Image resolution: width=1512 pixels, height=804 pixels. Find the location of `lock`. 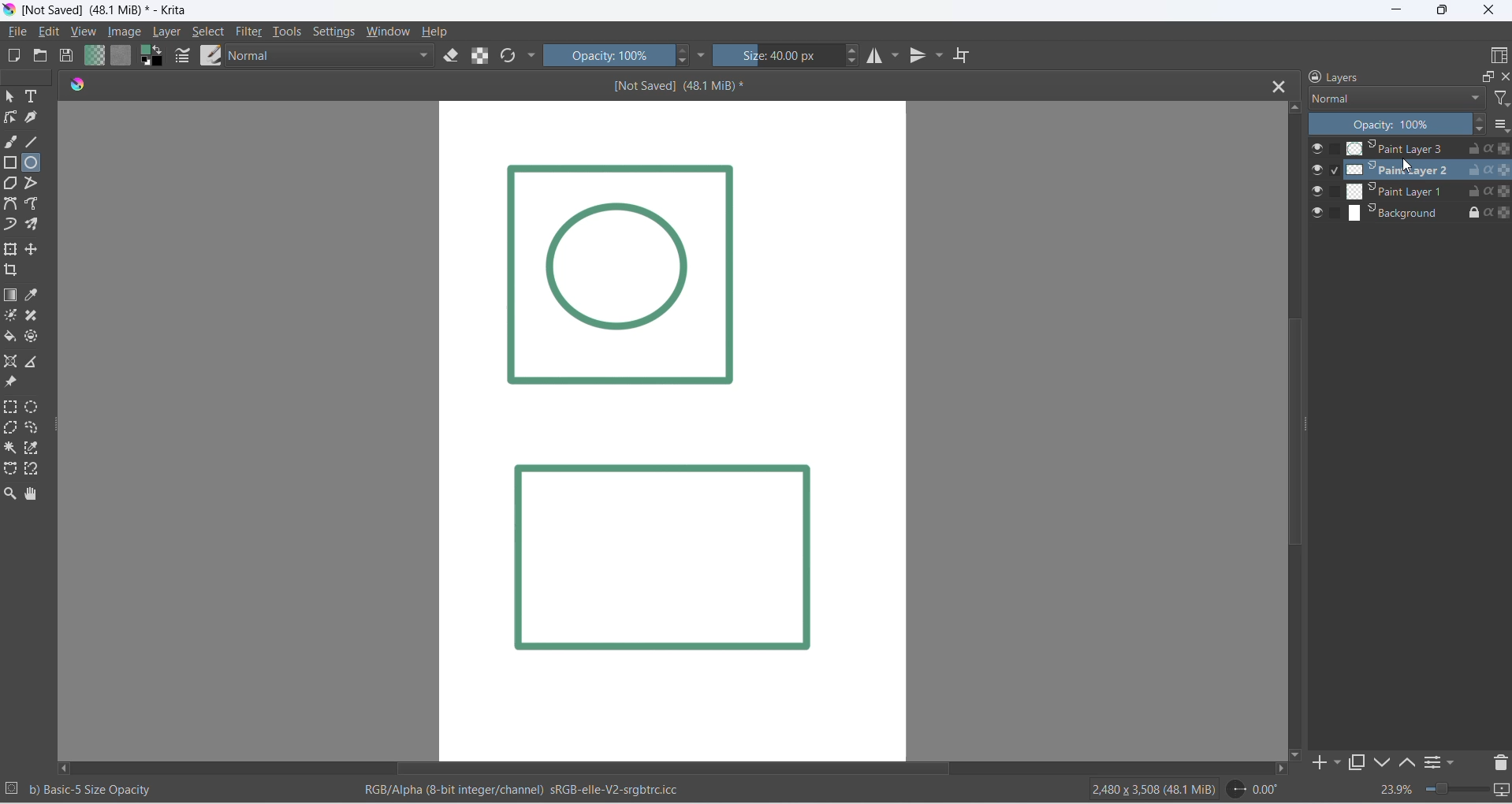

lock is located at coordinates (1471, 210).